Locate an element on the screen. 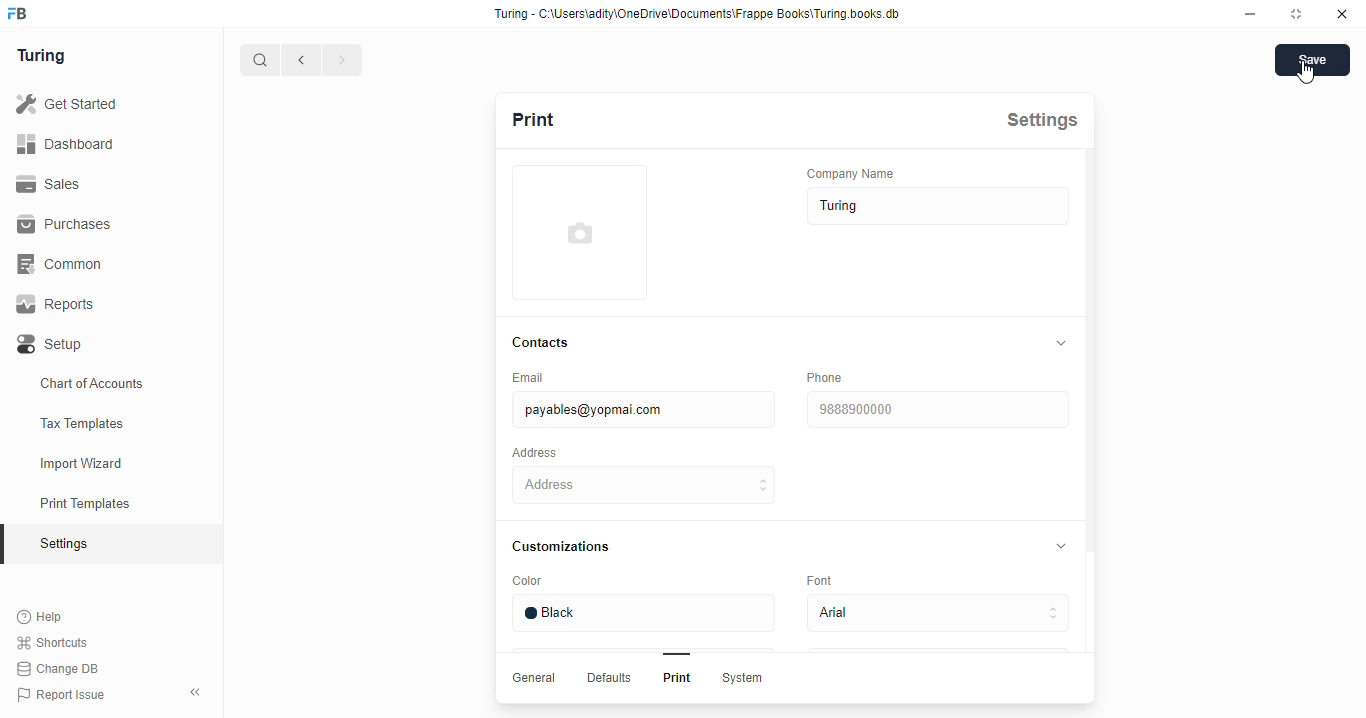  General is located at coordinates (537, 678).